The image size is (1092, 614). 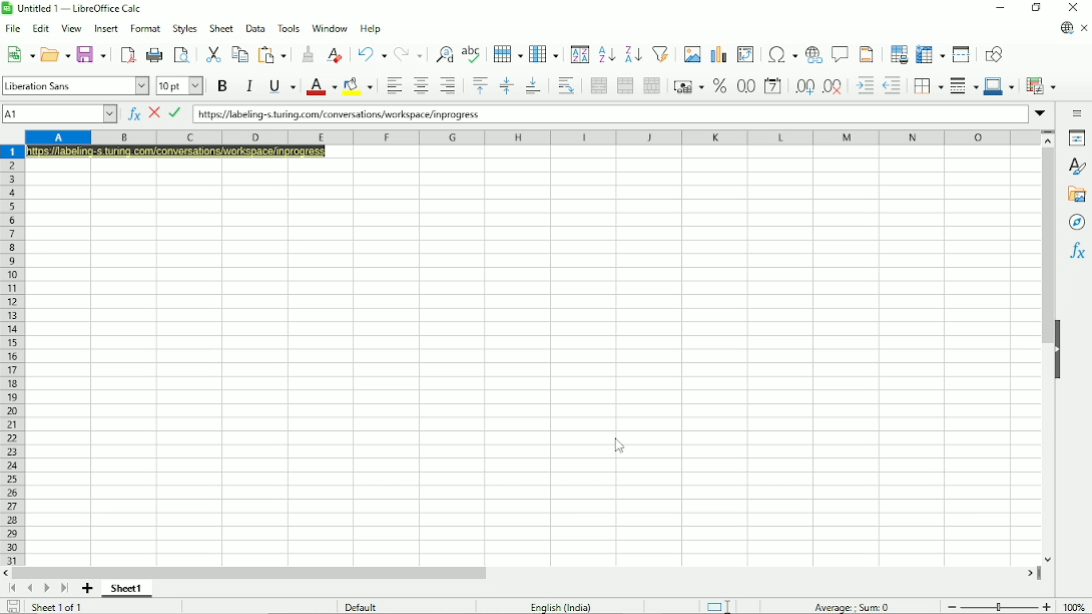 What do you see at coordinates (12, 589) in the screenshot?
I see `Scroll to first sheet` at bounding box center [12, 589].